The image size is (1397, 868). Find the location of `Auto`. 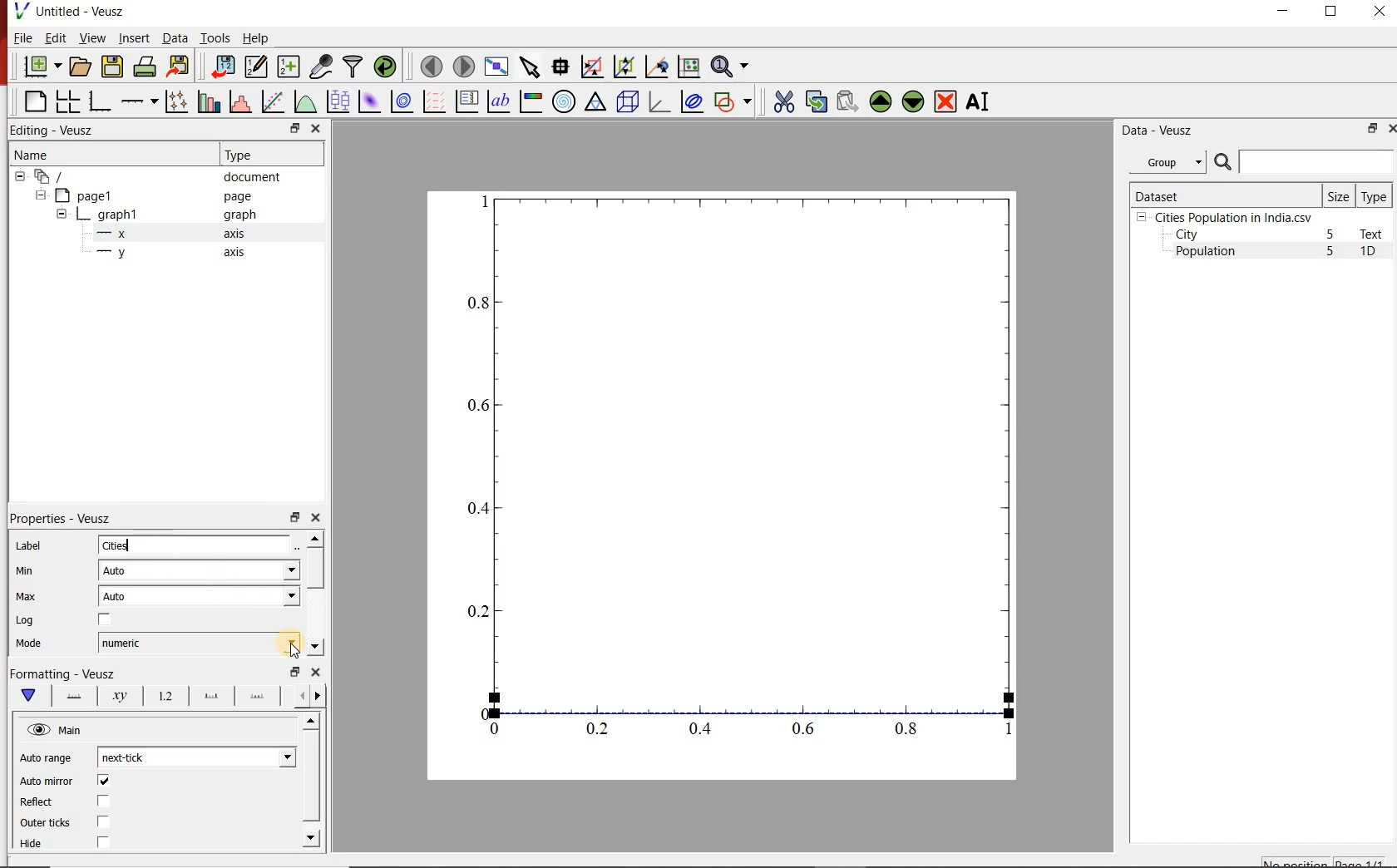

Auto is located at coordinates (199, 596).